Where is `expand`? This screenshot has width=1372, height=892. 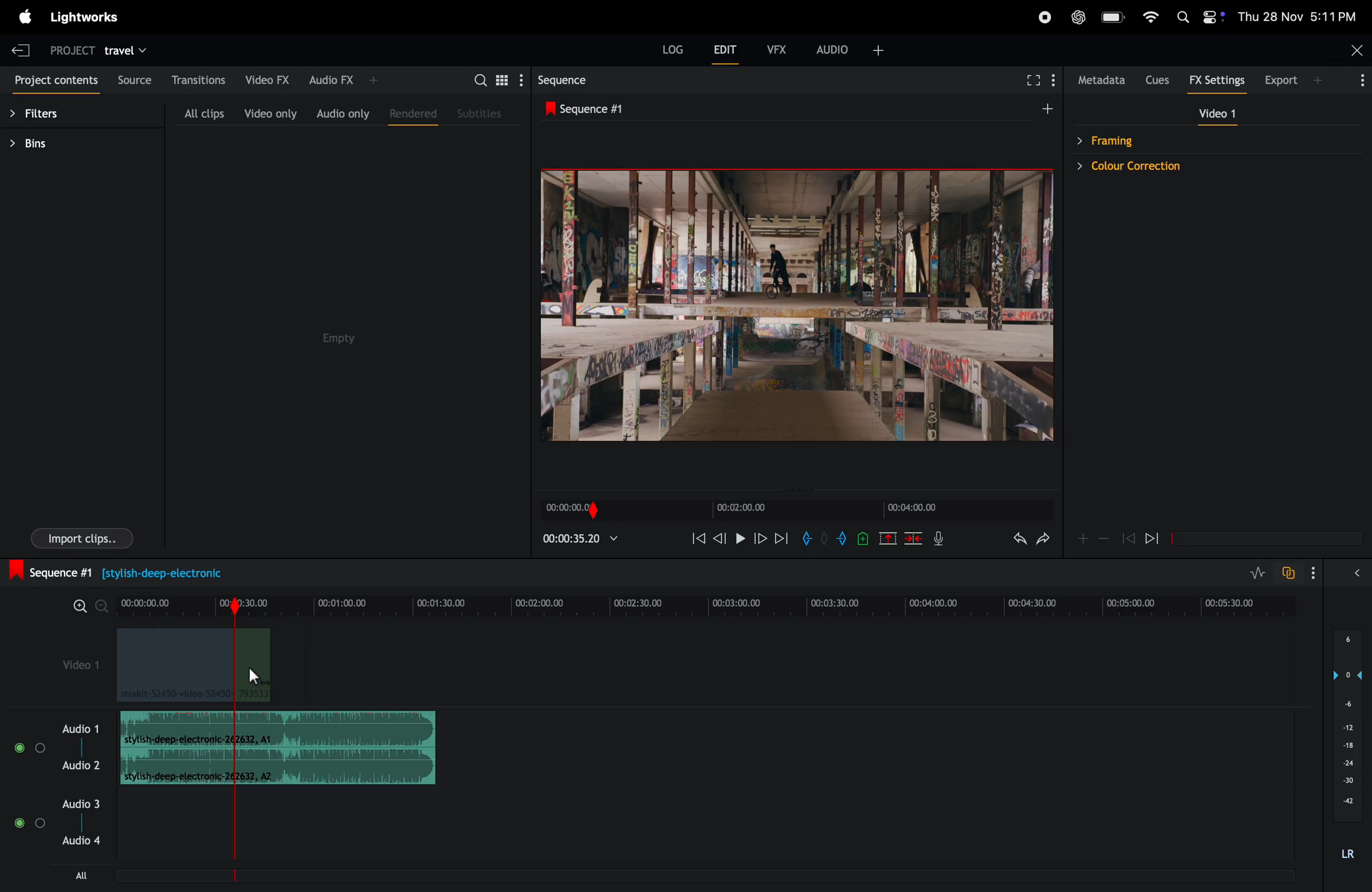 expand is located at coordinates (1354, 575).